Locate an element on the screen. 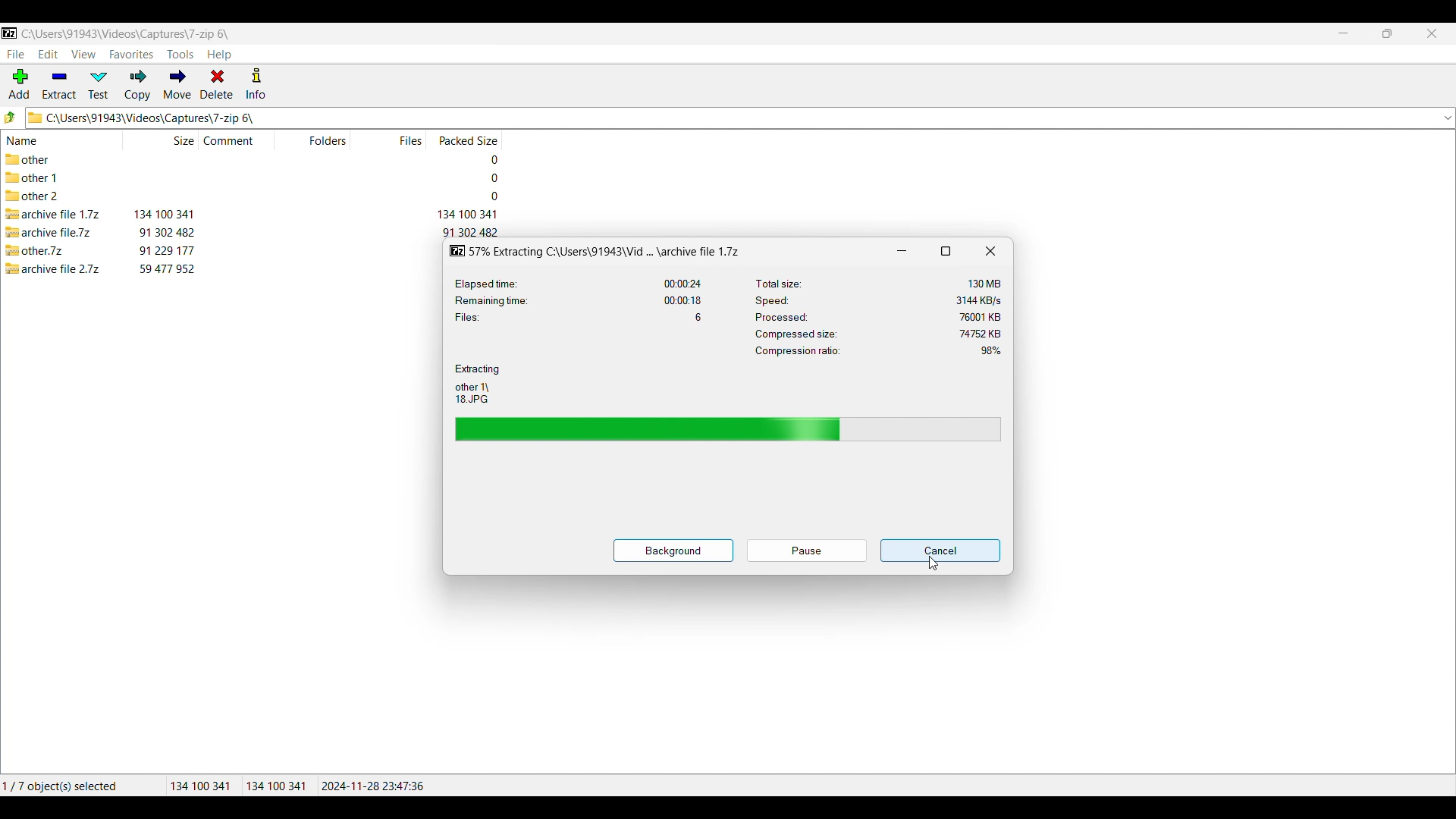 This screenshot has width=1456, height=819. Add is located at coordinates (19, 83).